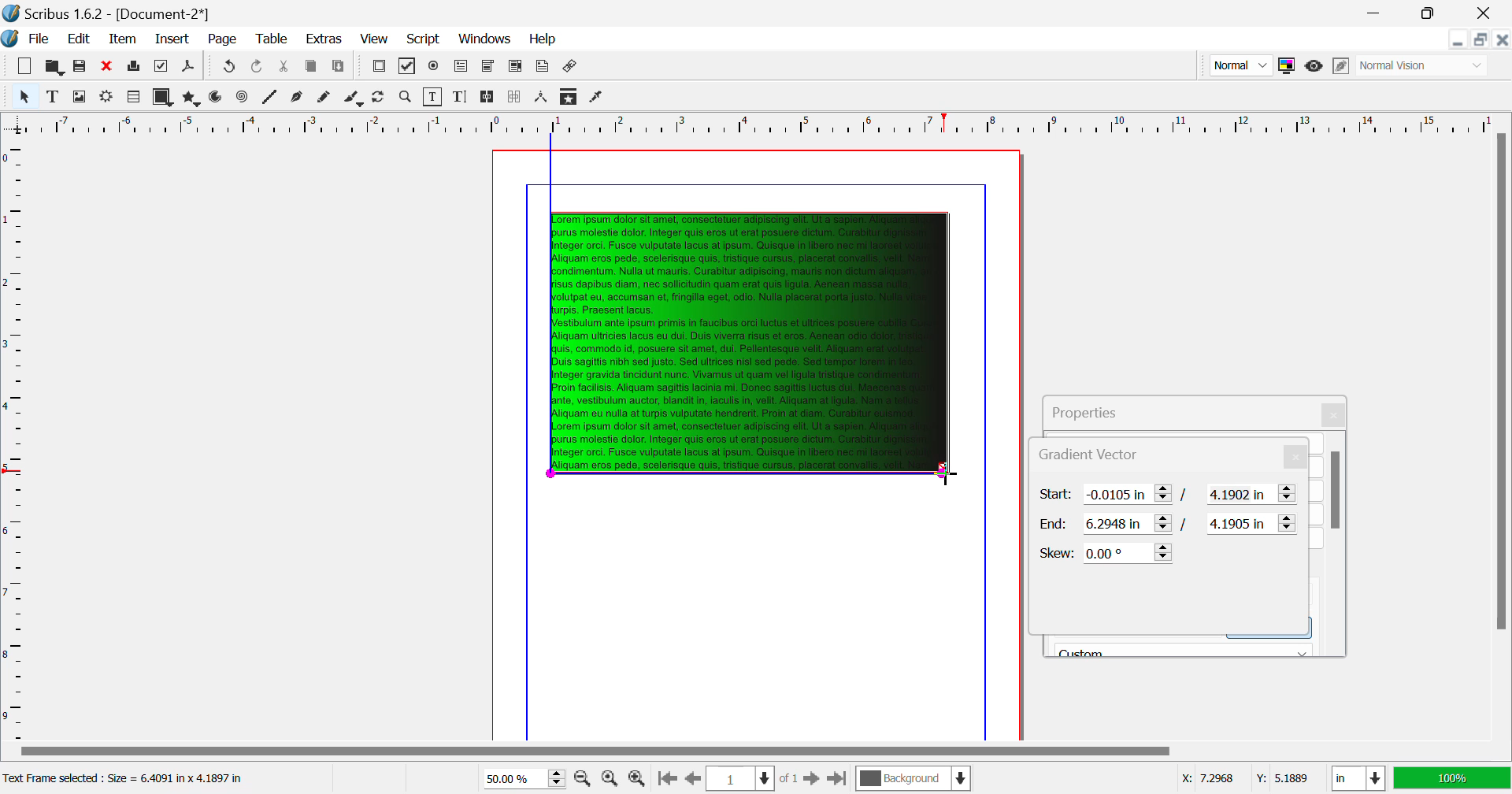 Image resolution: width=1512 pixels, height=794 pixels. What do you see at coordinates (108, 13) in the screenshot?
I see `Scribus 1.62 - [Document-2*]` at bounding box center [108, 13].